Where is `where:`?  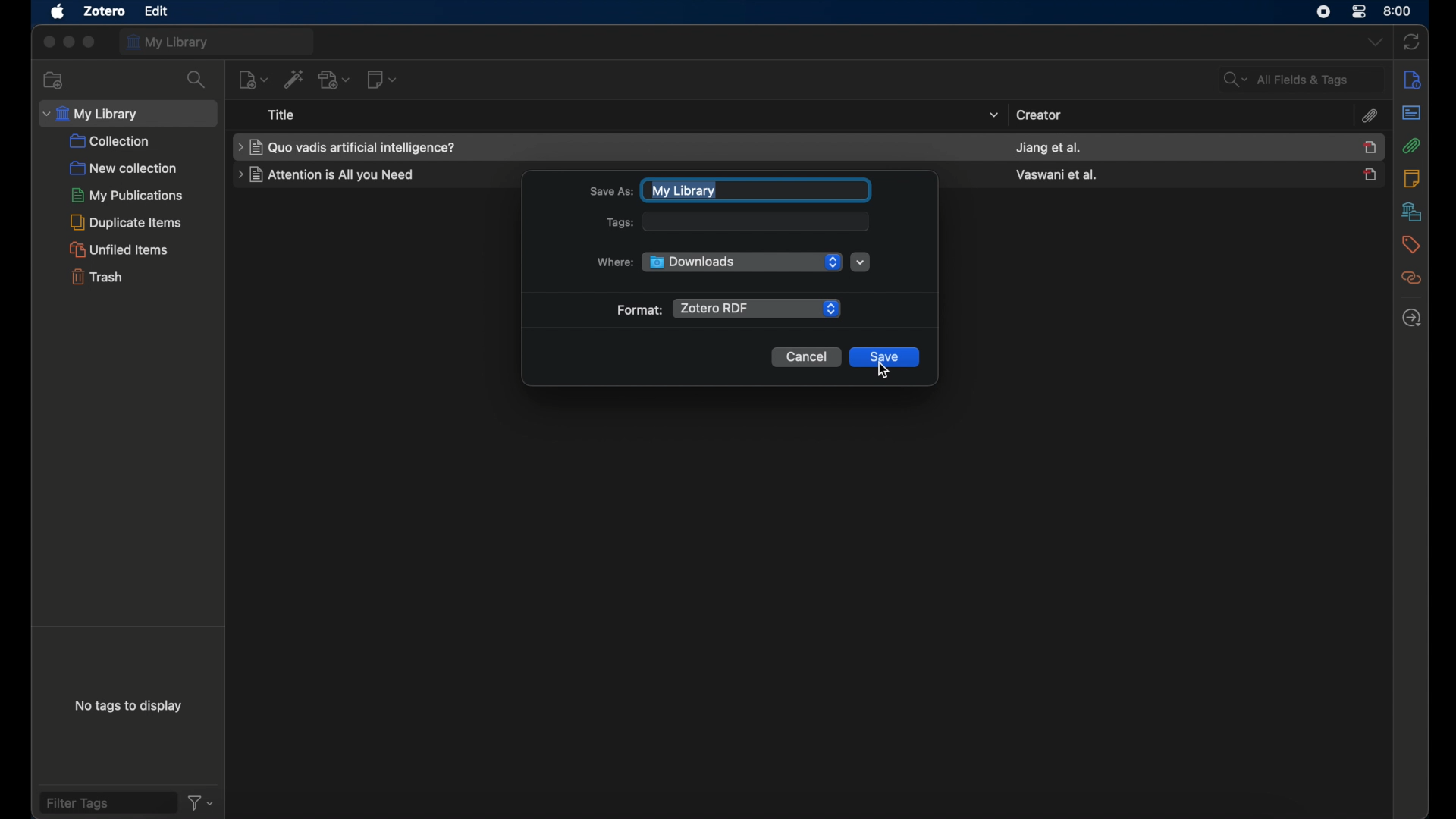 where: is located at coordinates (614, 263).